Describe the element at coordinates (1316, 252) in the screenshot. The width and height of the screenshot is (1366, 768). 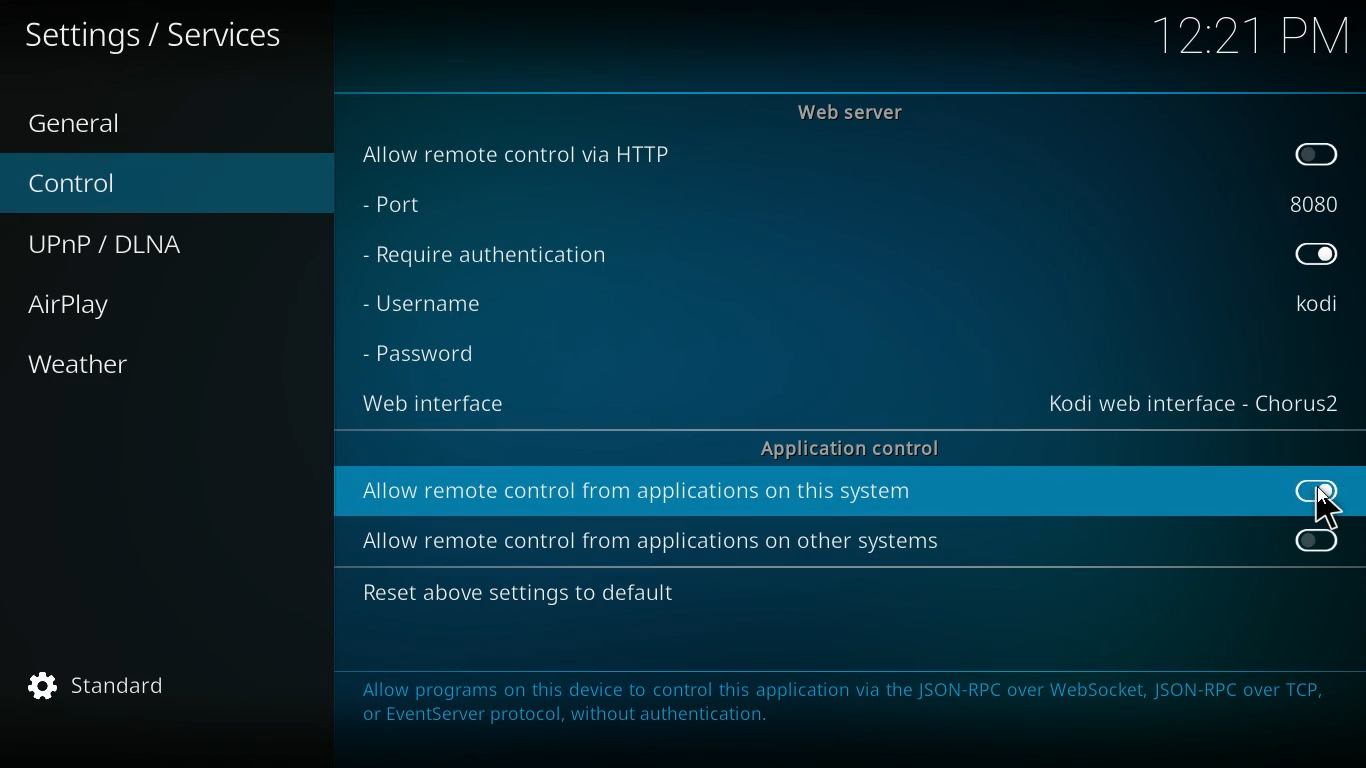
I see `on` at that location.